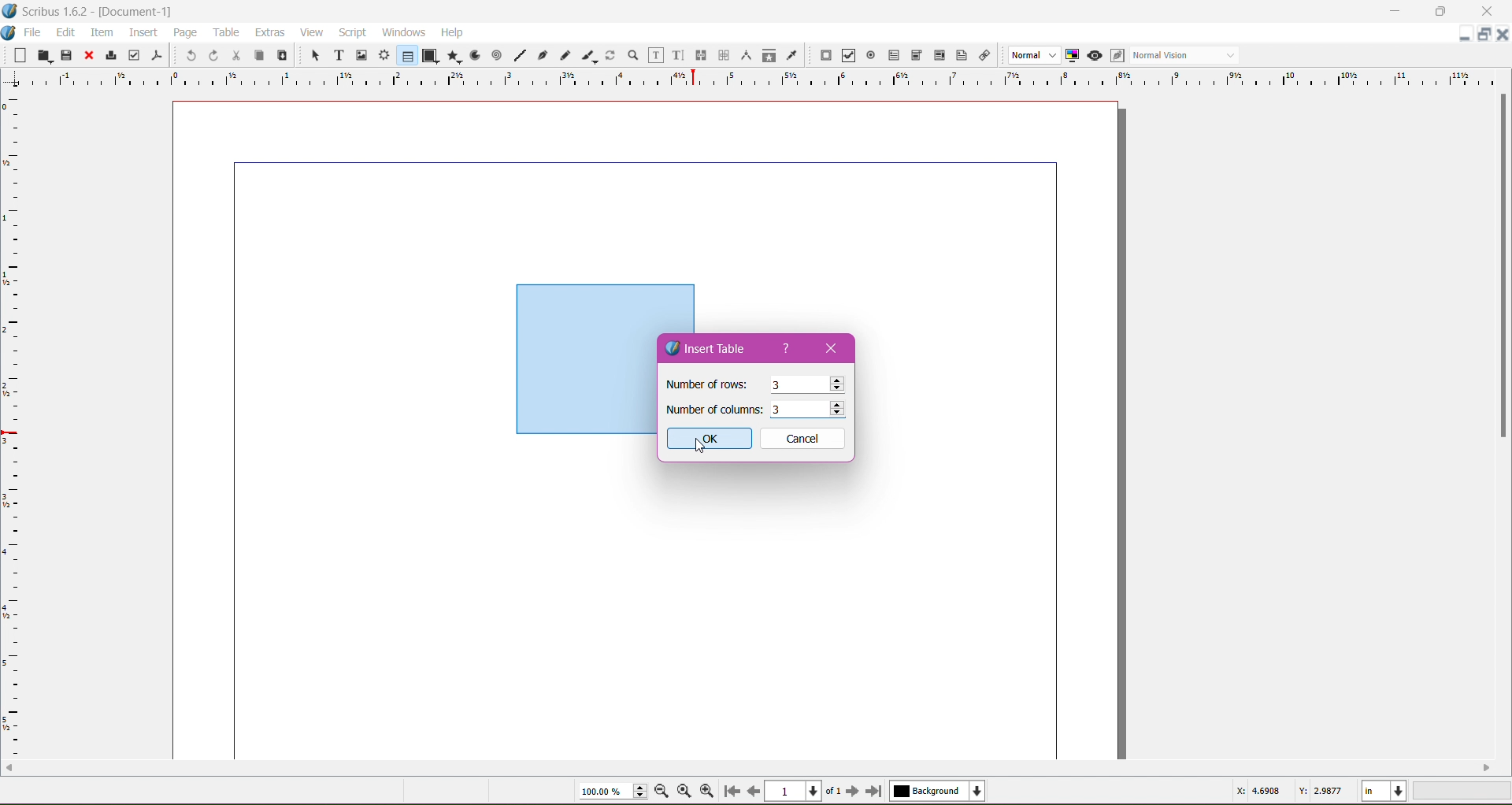  Describe the element at coordinates (877, 792) in the screenshot. I see `Last Page` at that location.